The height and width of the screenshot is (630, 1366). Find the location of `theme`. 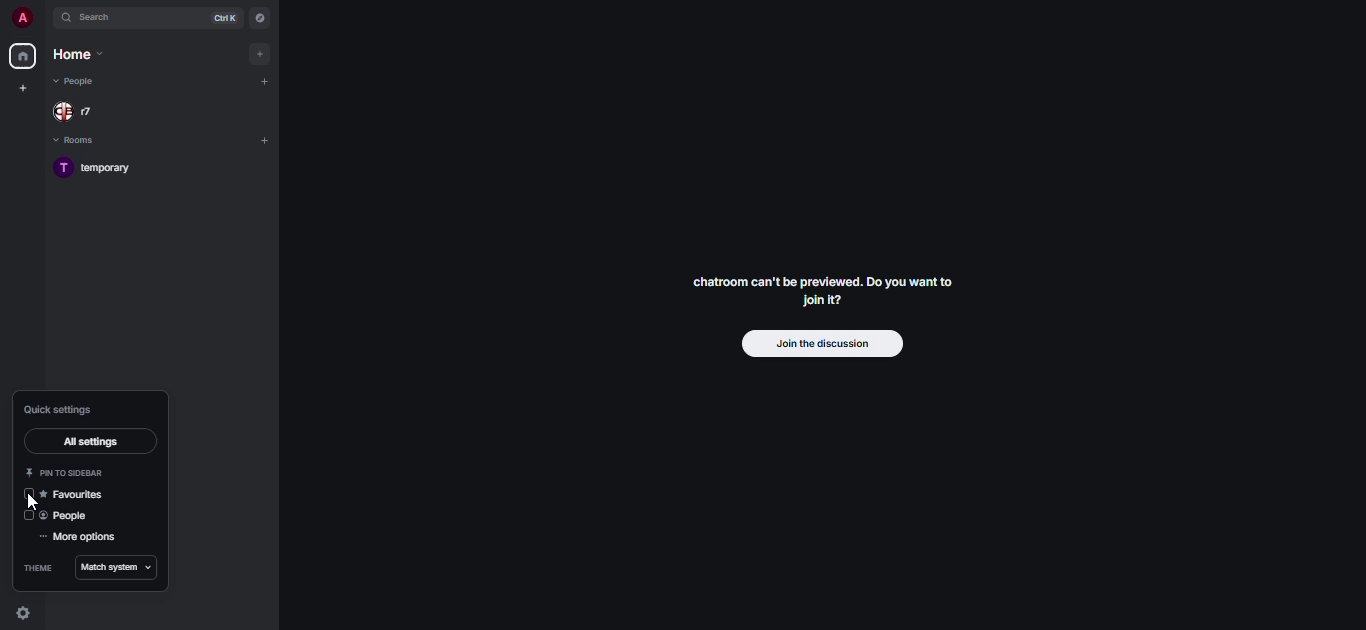

theme is located at coordinates (39, 569).